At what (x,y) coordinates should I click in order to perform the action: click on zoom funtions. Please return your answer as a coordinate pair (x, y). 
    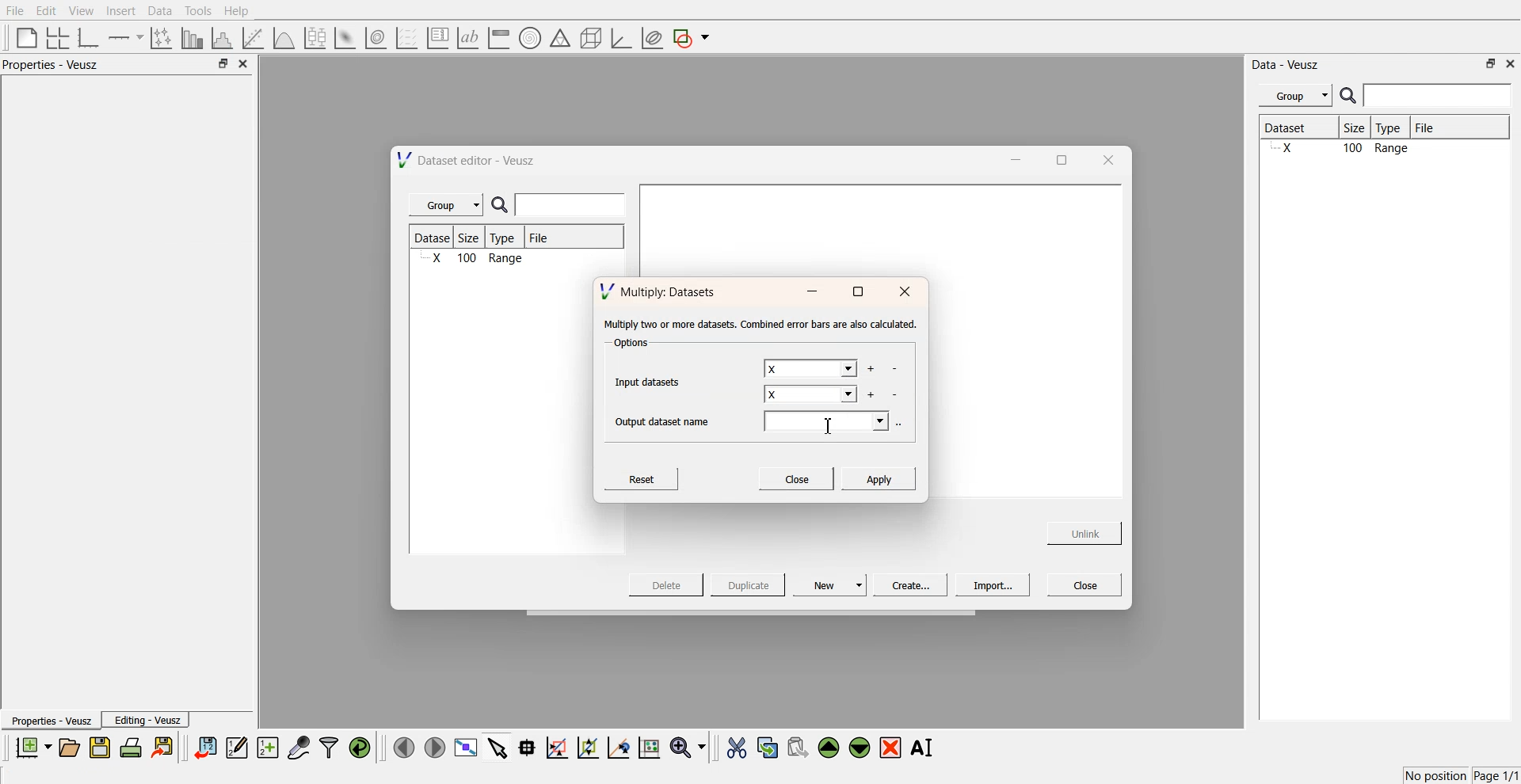
    Looking at the image, I should click on (688, 748).